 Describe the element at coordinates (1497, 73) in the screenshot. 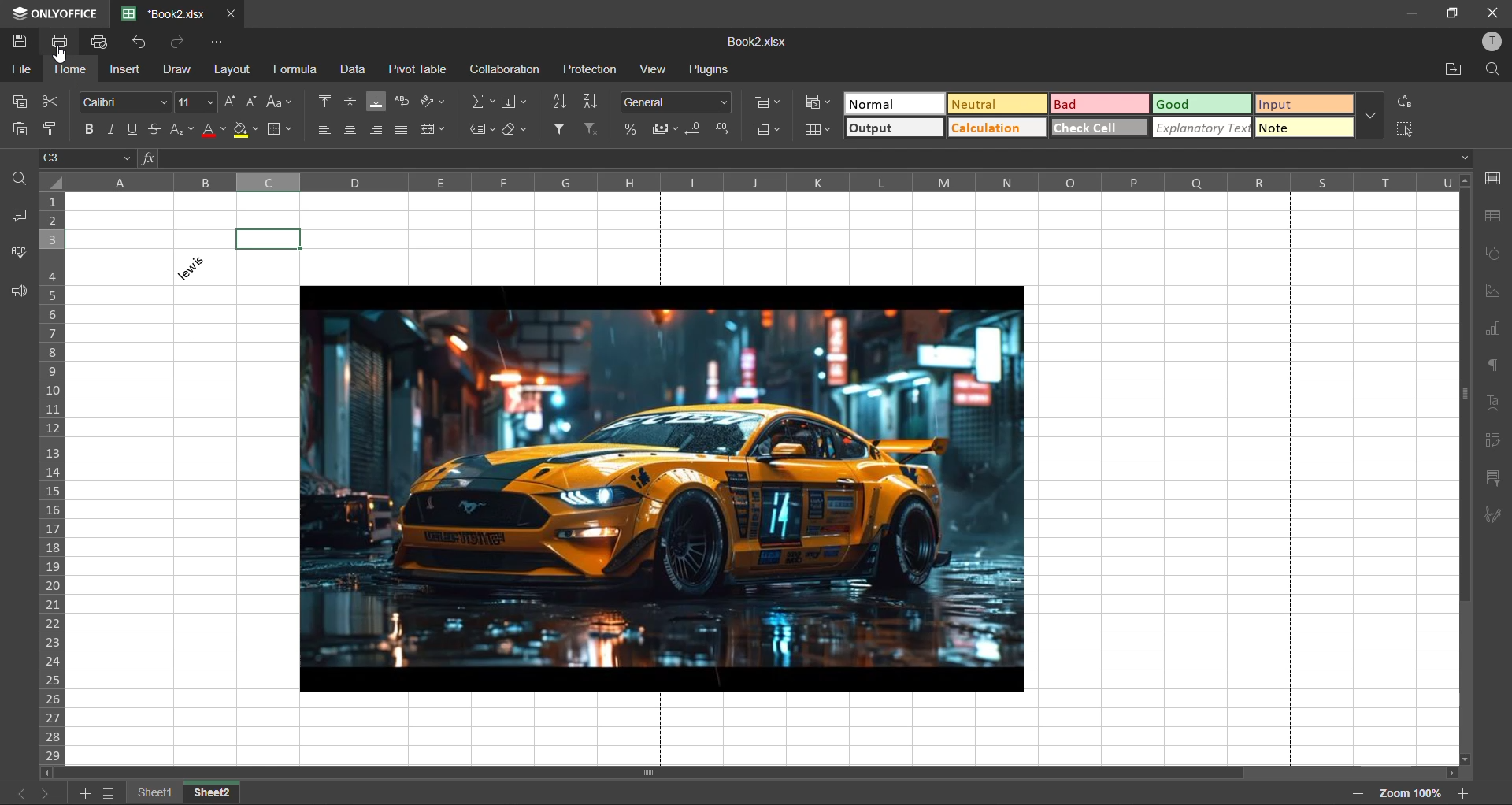

I see `find` at that location.